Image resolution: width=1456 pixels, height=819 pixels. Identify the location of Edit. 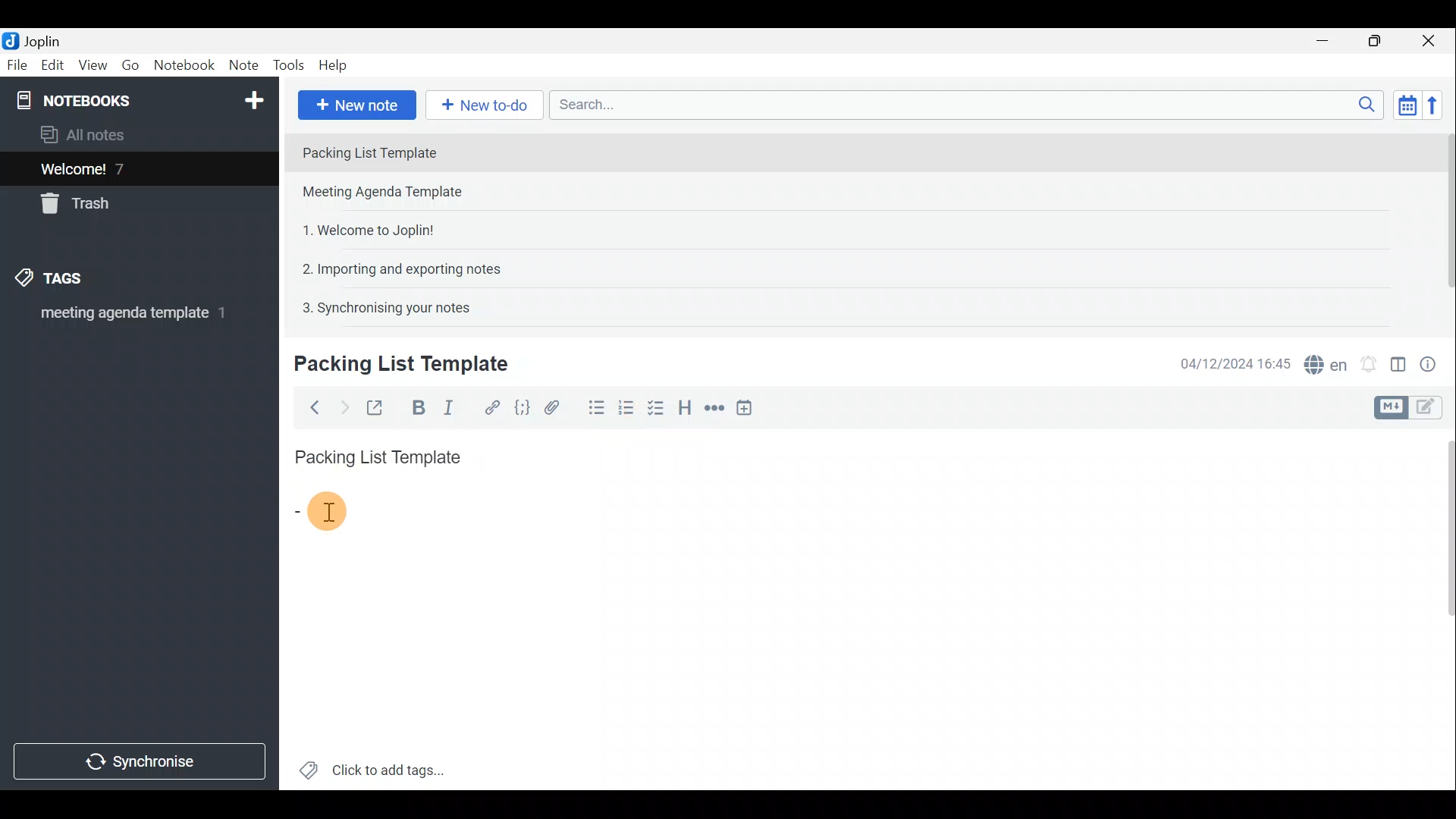
(49, 66).